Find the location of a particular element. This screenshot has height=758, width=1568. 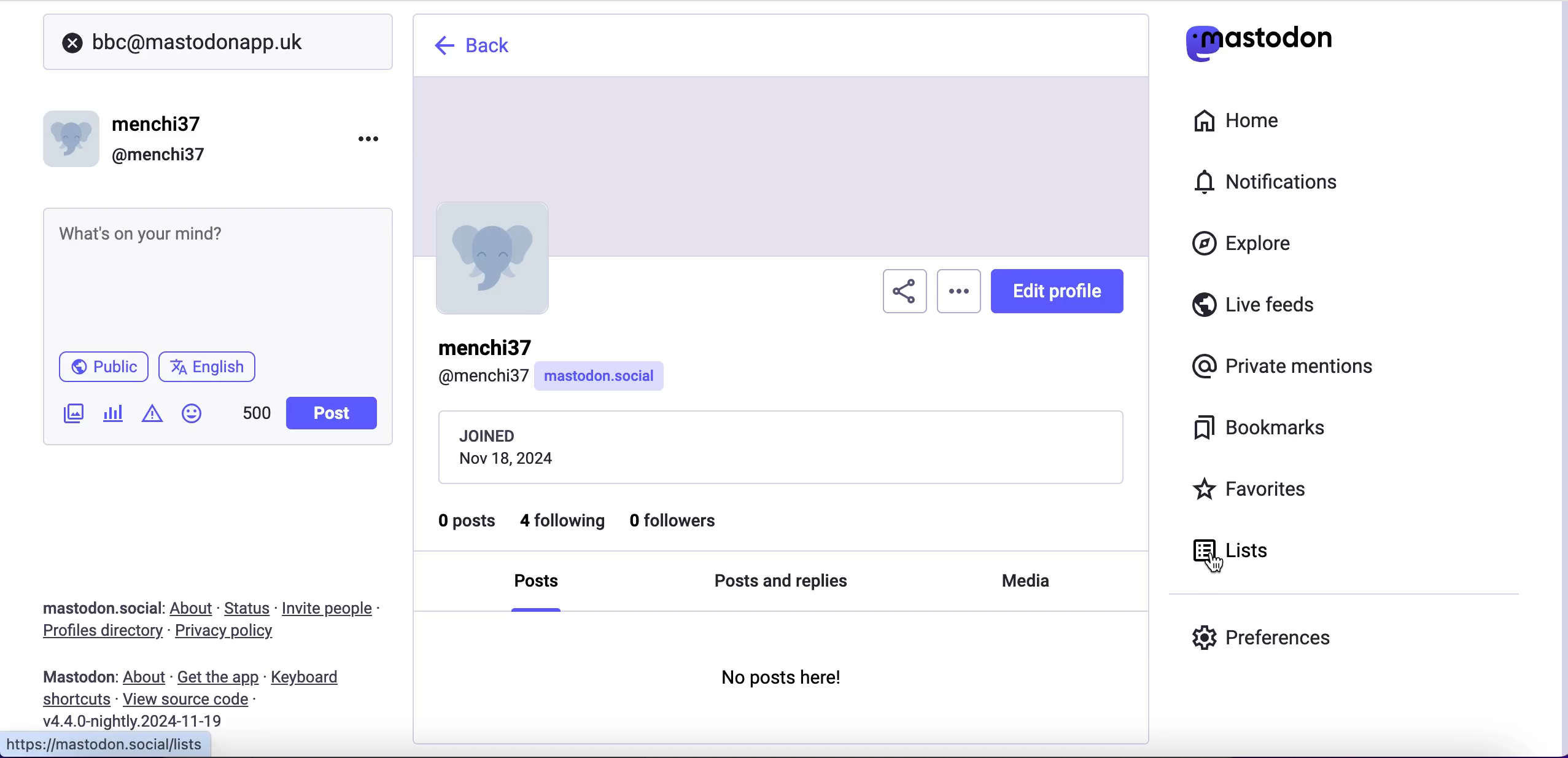

posts is located at coordinates (536, 587).